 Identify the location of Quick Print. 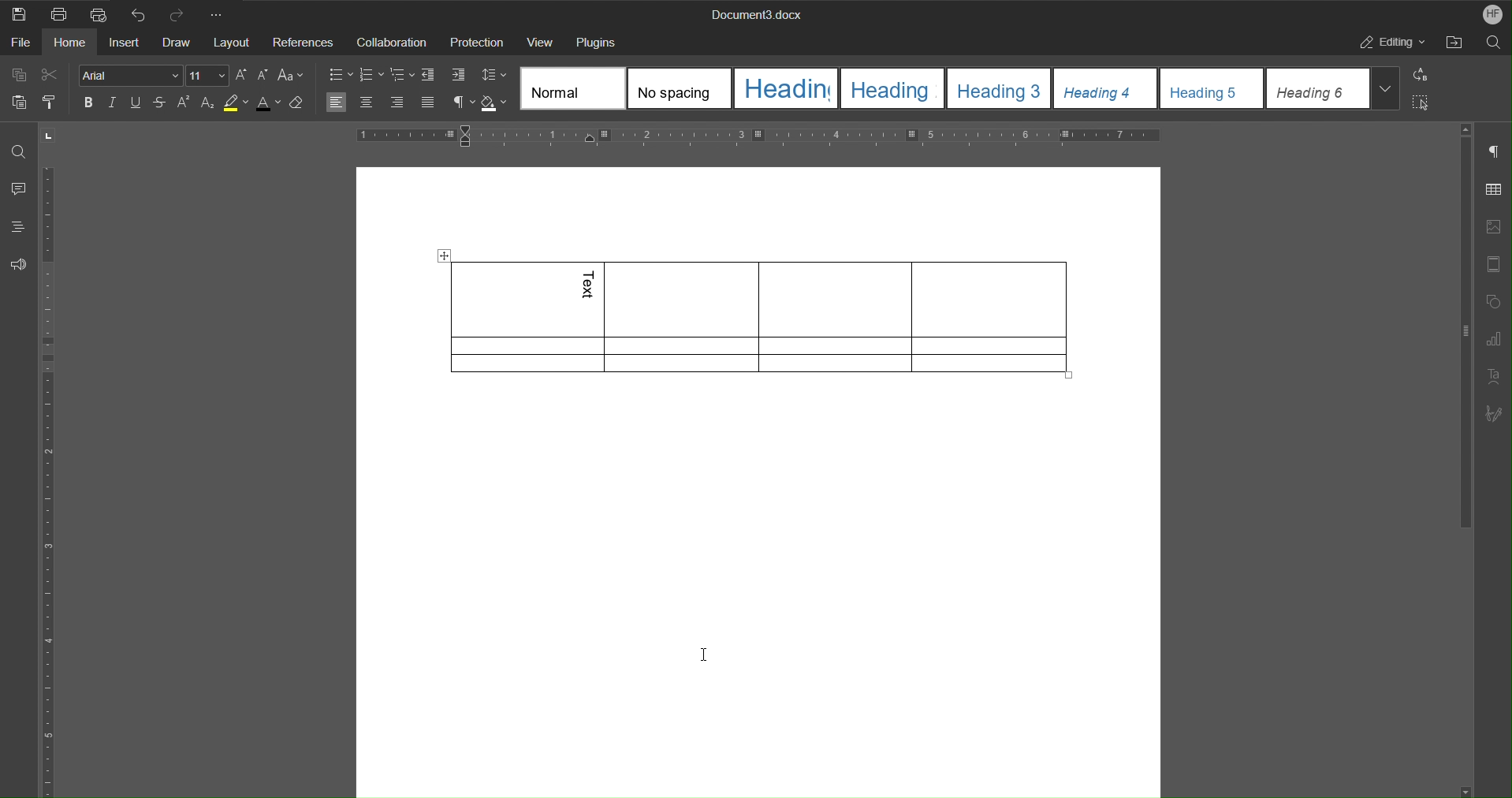
(97, 13).